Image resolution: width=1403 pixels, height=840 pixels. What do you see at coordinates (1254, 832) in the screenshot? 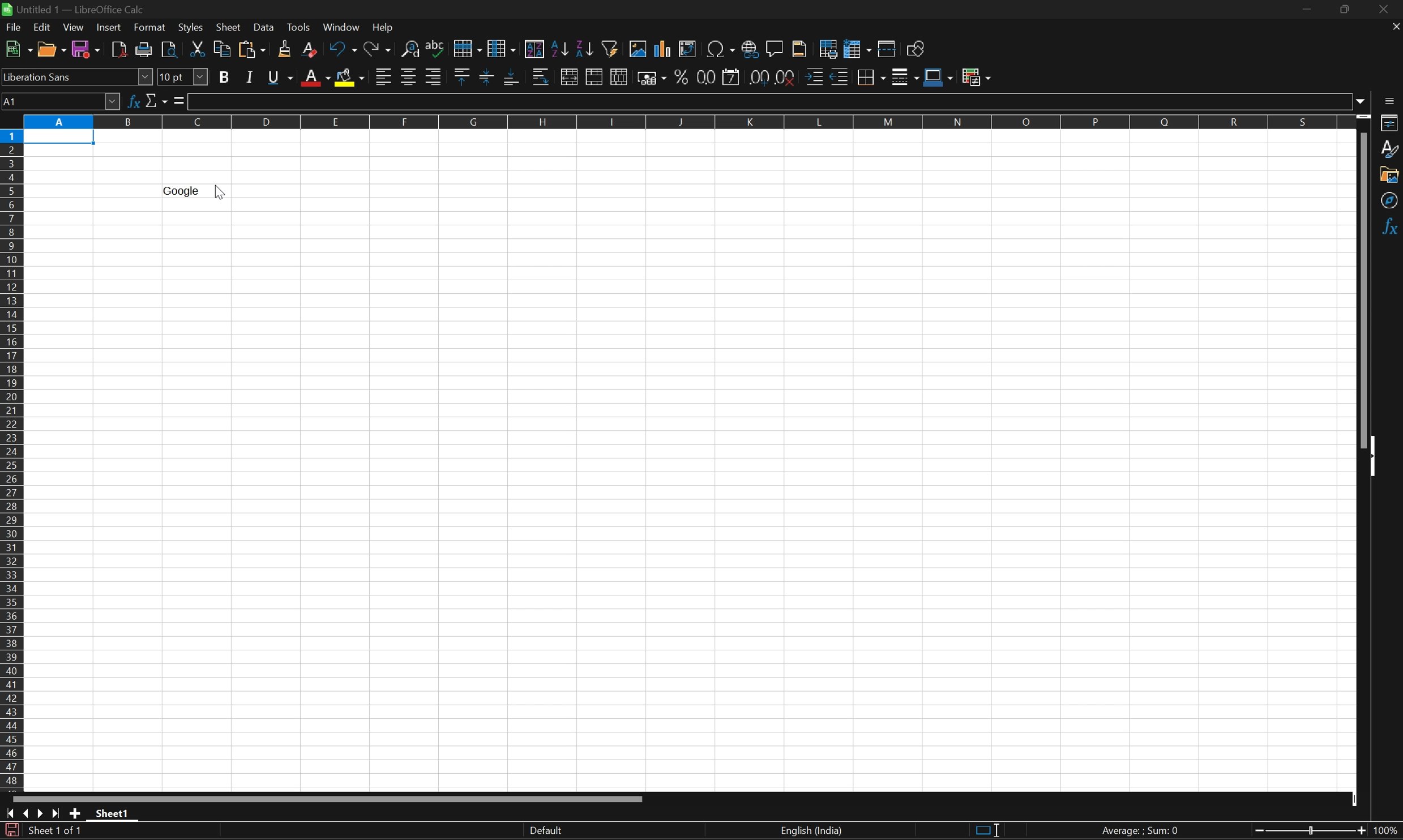
I see `Zoom in` at bounding box center [1254, 832].